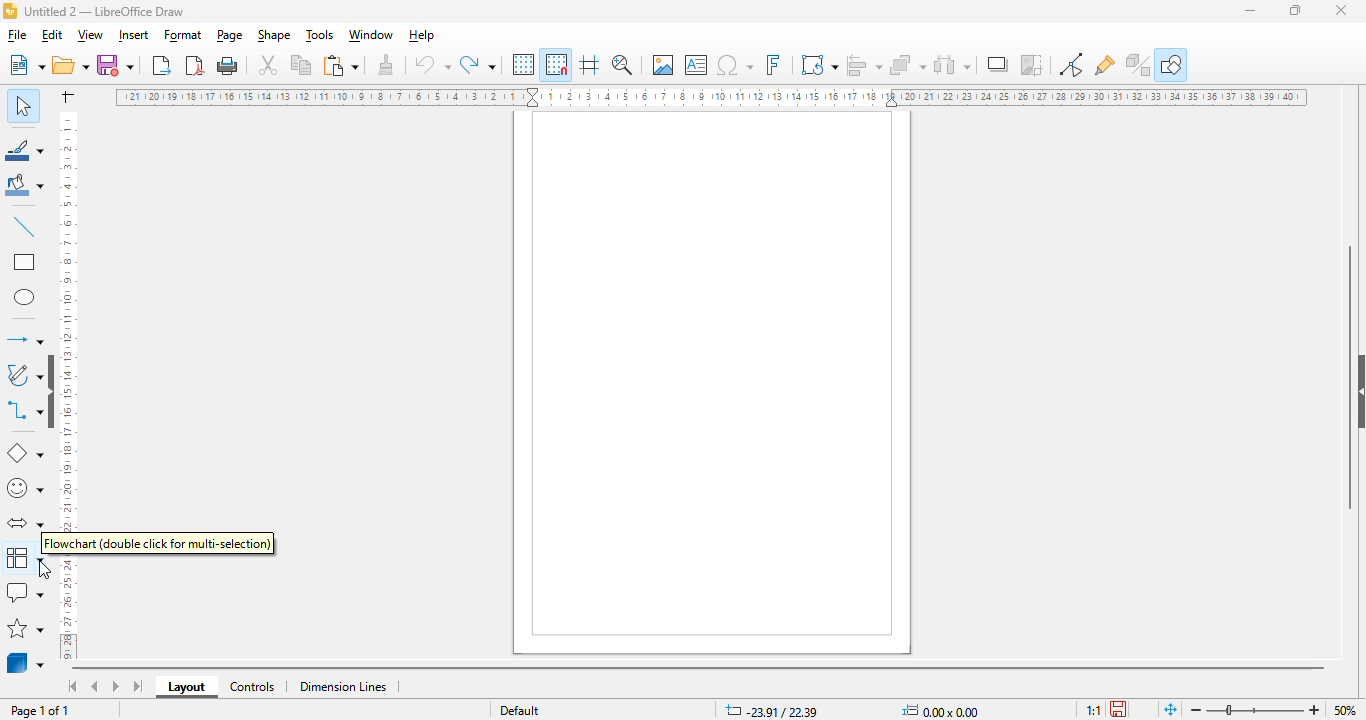  What do you see at coordinates (16, 37) in the screenshot?
I see `file` at bounding box center [16, 37].